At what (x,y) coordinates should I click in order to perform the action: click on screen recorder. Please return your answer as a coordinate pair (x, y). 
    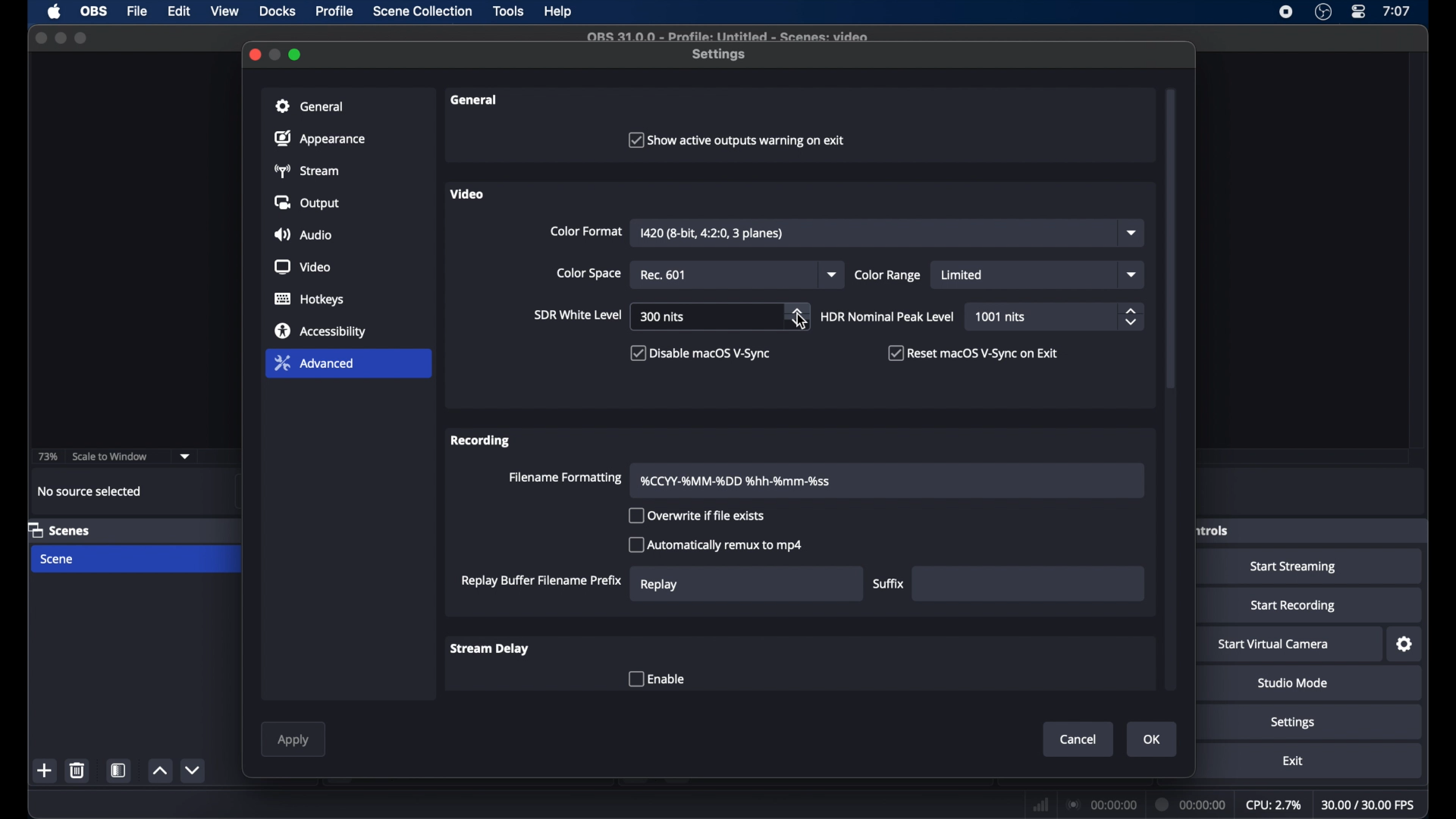
    Looking at the image, I should click on (1285, 12).